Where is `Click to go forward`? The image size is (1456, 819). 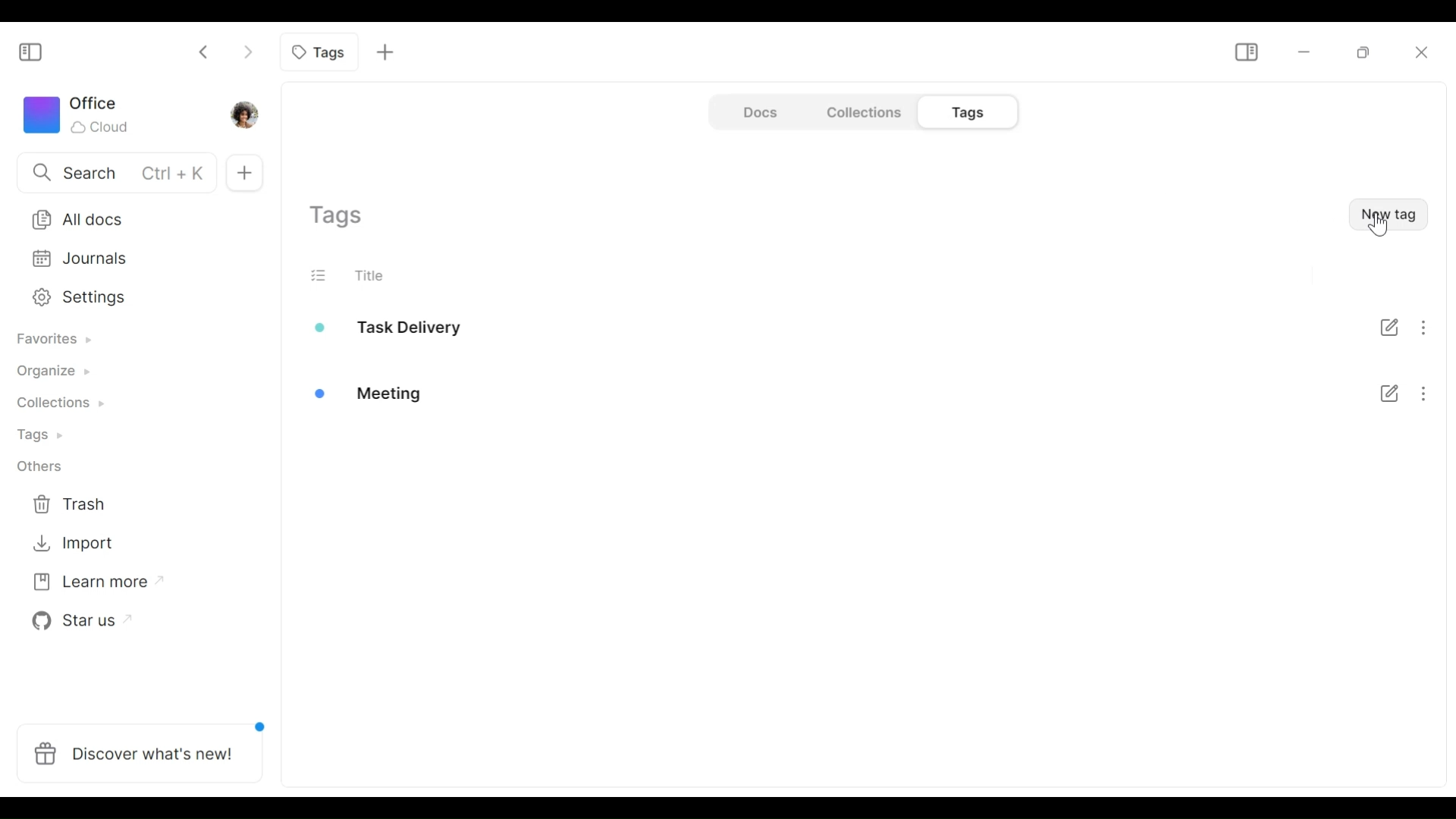
Click to go forward is located at coordinates (244, 52).